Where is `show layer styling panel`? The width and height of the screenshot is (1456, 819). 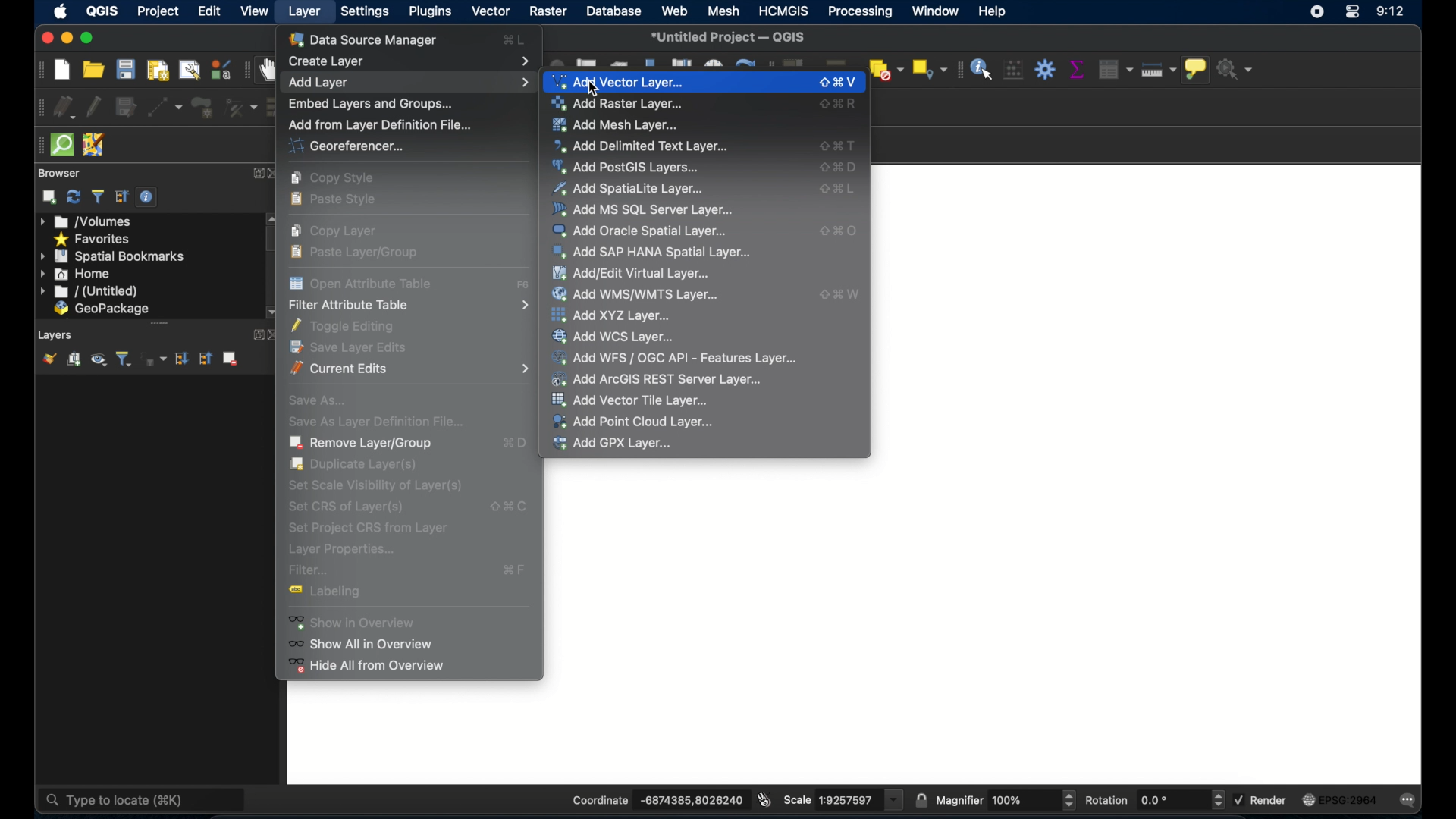 show layer styling panel is located at coordinates (49, 359).